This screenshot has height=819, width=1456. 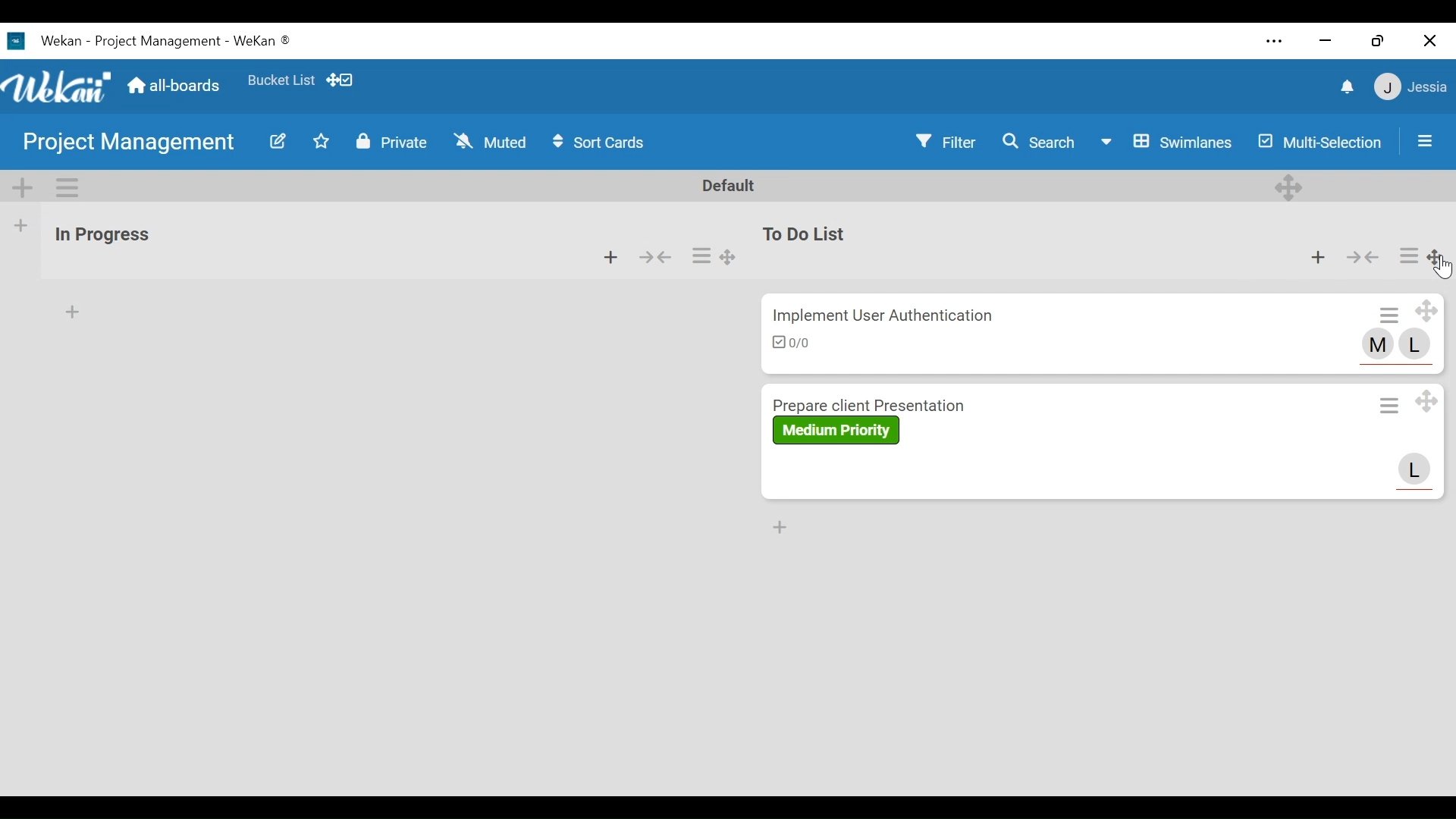 I want to click on Desktop drag handles, so click(x=1289, y=186).